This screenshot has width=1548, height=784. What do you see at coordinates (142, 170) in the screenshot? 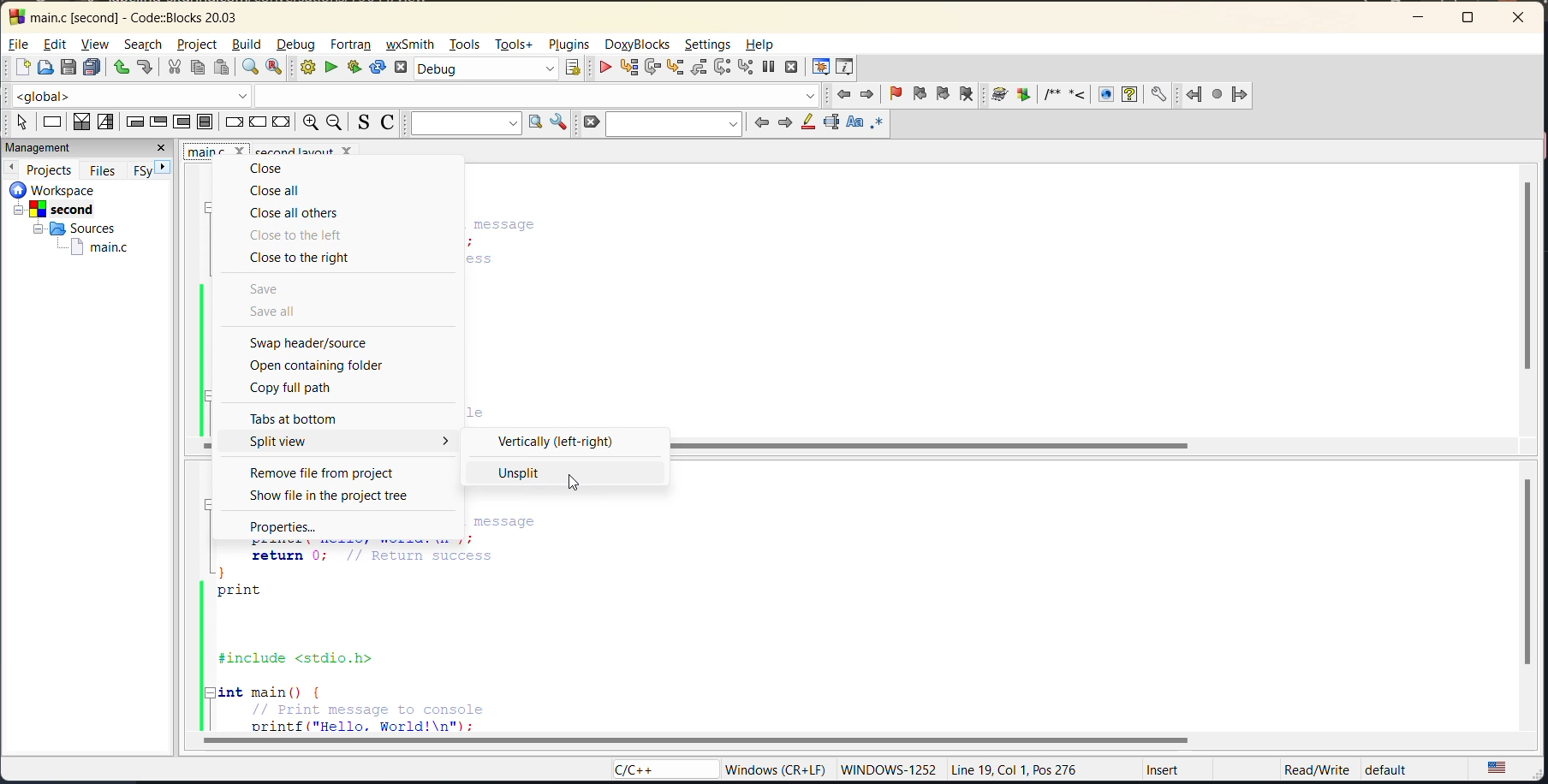
I see `FSy` at bounding box center [142, 170].